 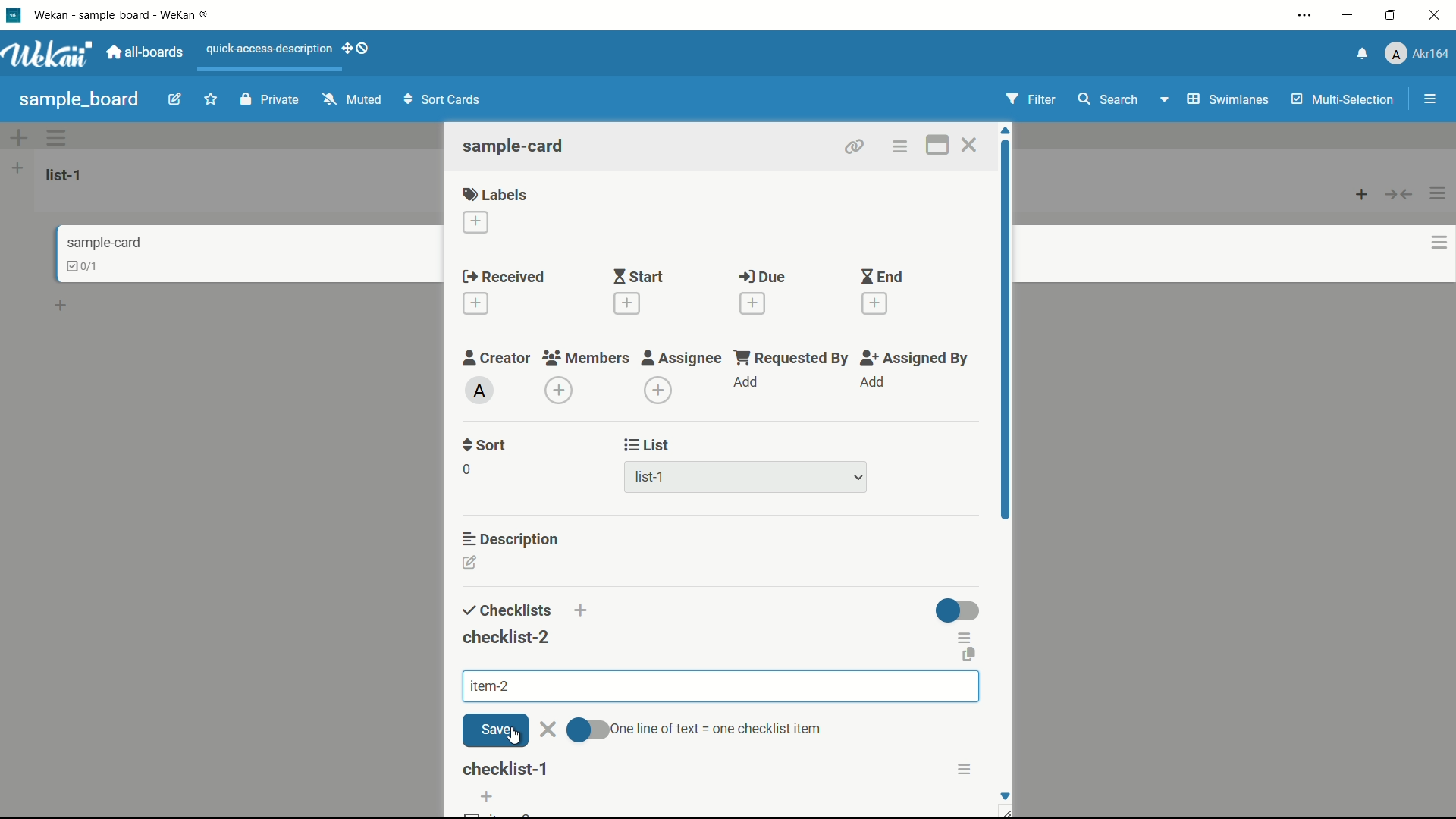 I want to click on add members, so click(x=561, y=392).